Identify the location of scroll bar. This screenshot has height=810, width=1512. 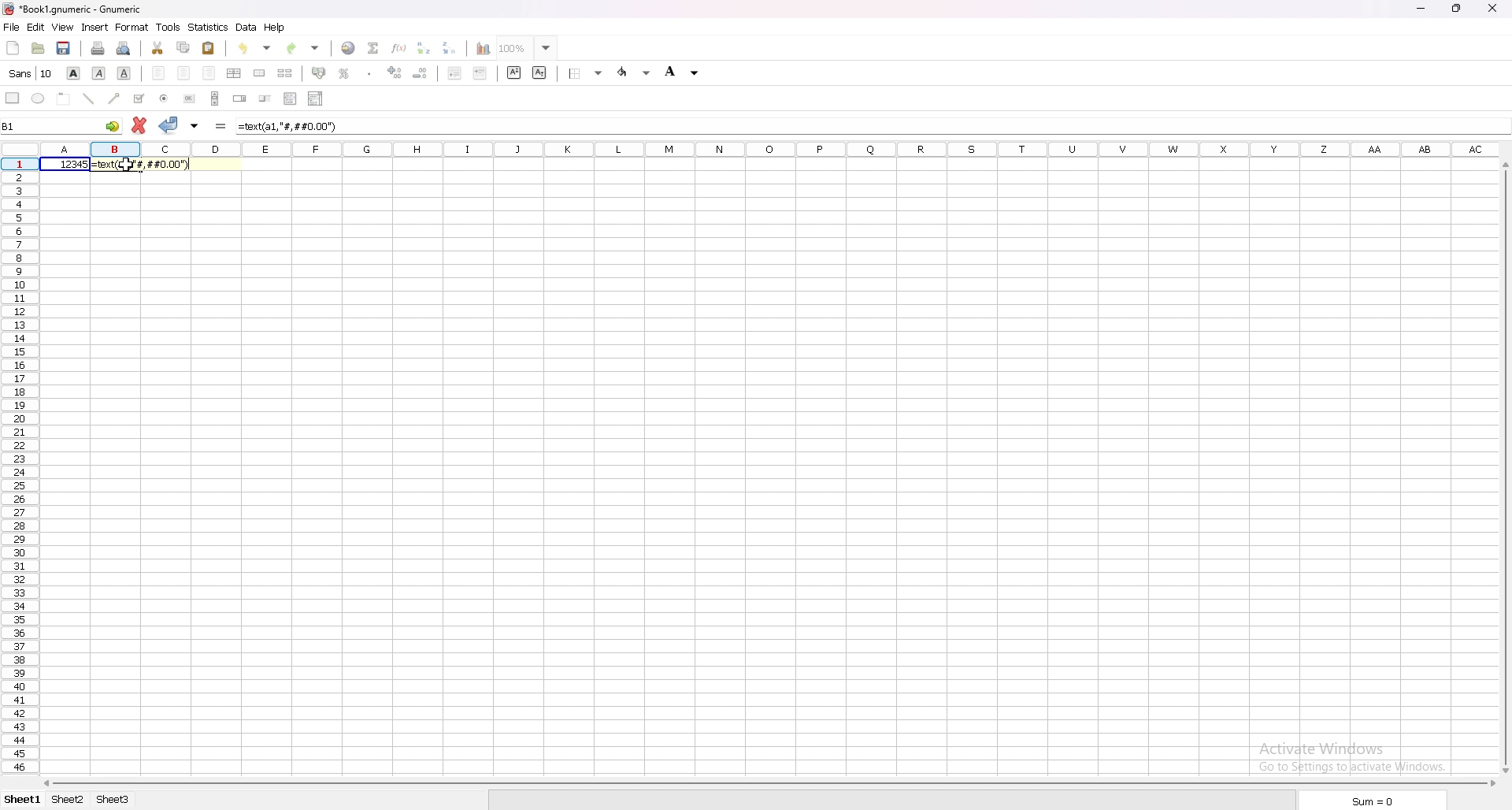
(766, 785).